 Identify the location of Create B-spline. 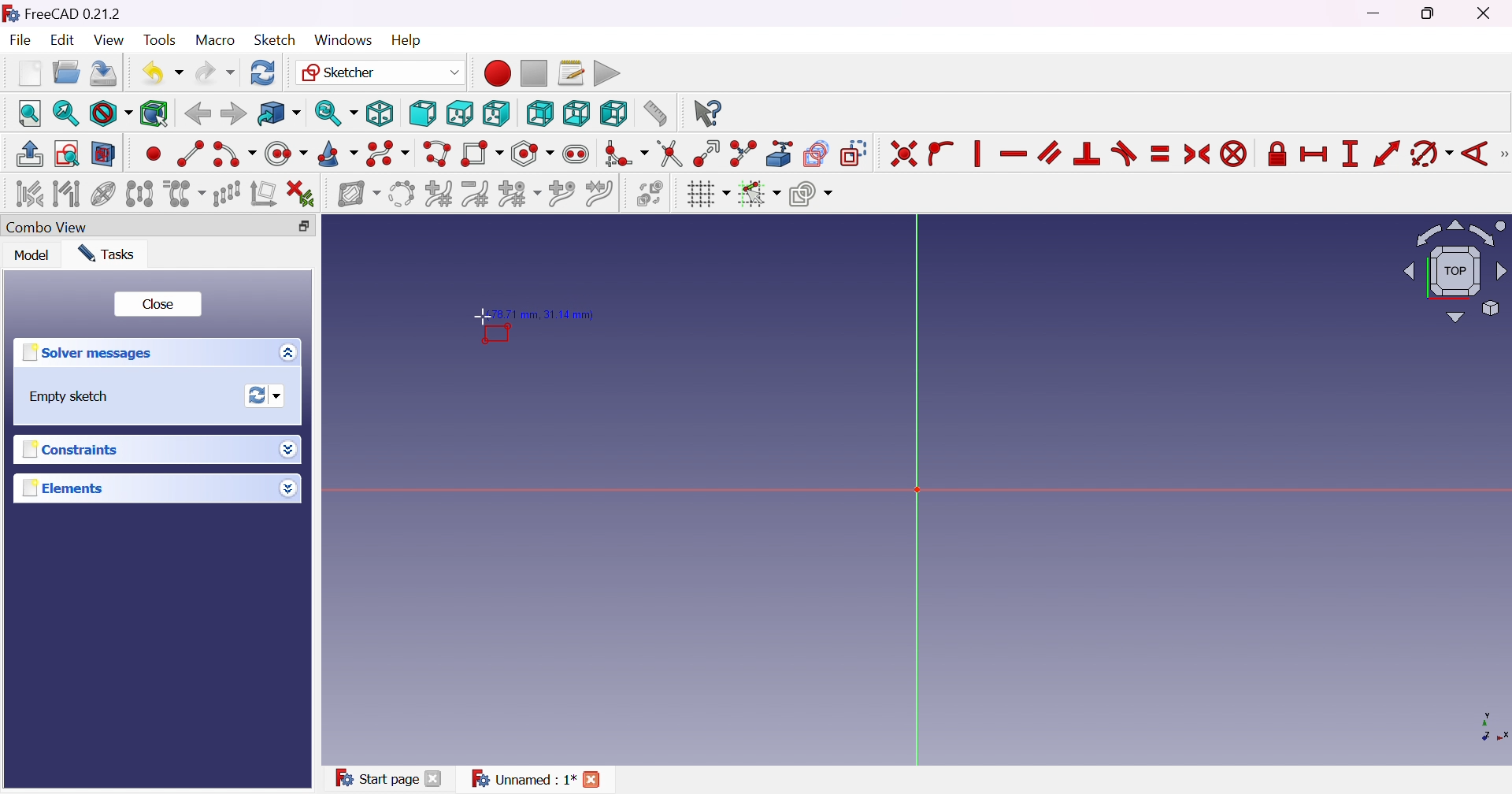
(387, 154).